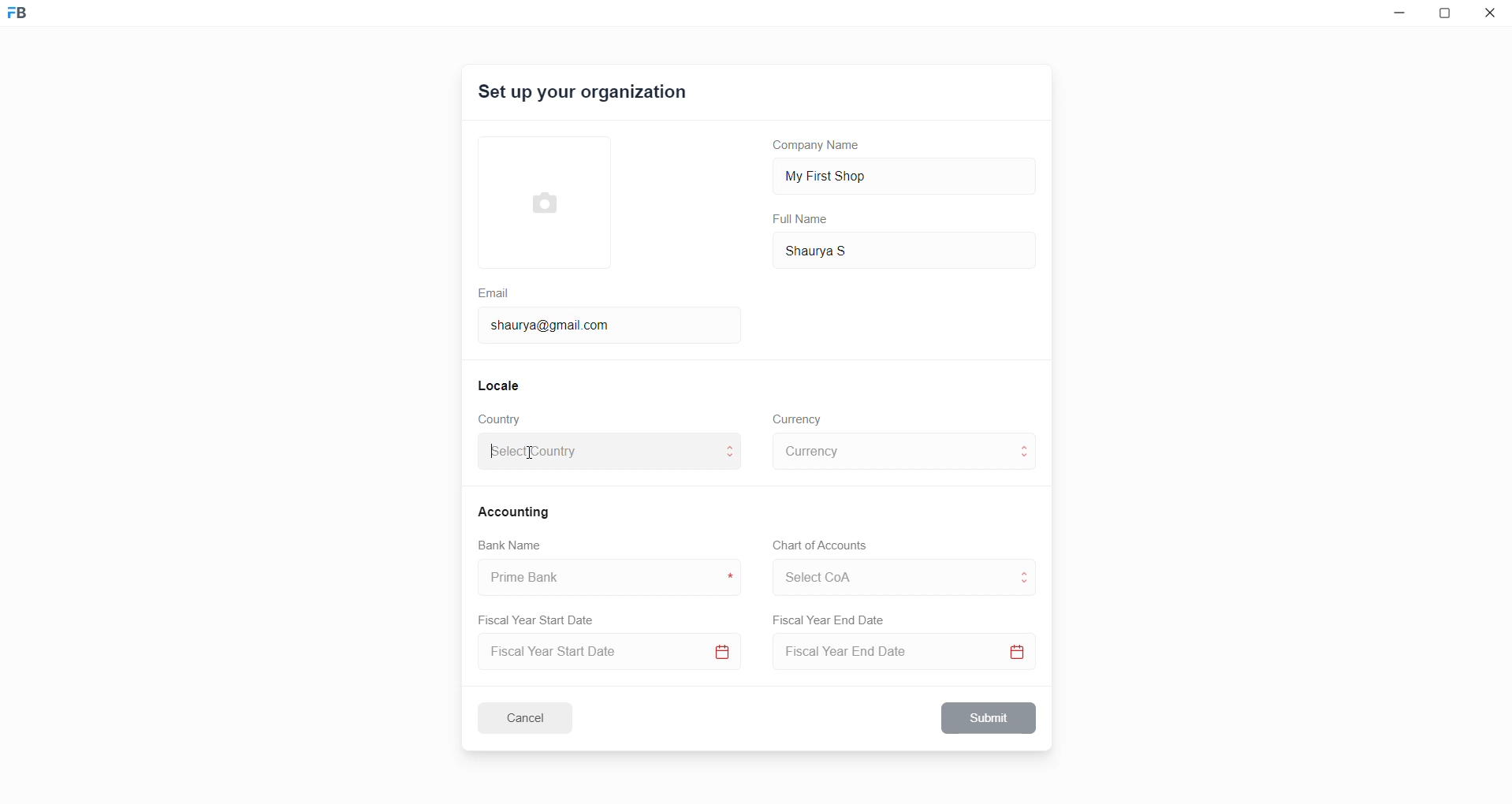 The height and width of the screenshot is (804, 1512). Describe the element at coordinates (1028, 571) in the screenshot. I see `move to above CoA` at that location.